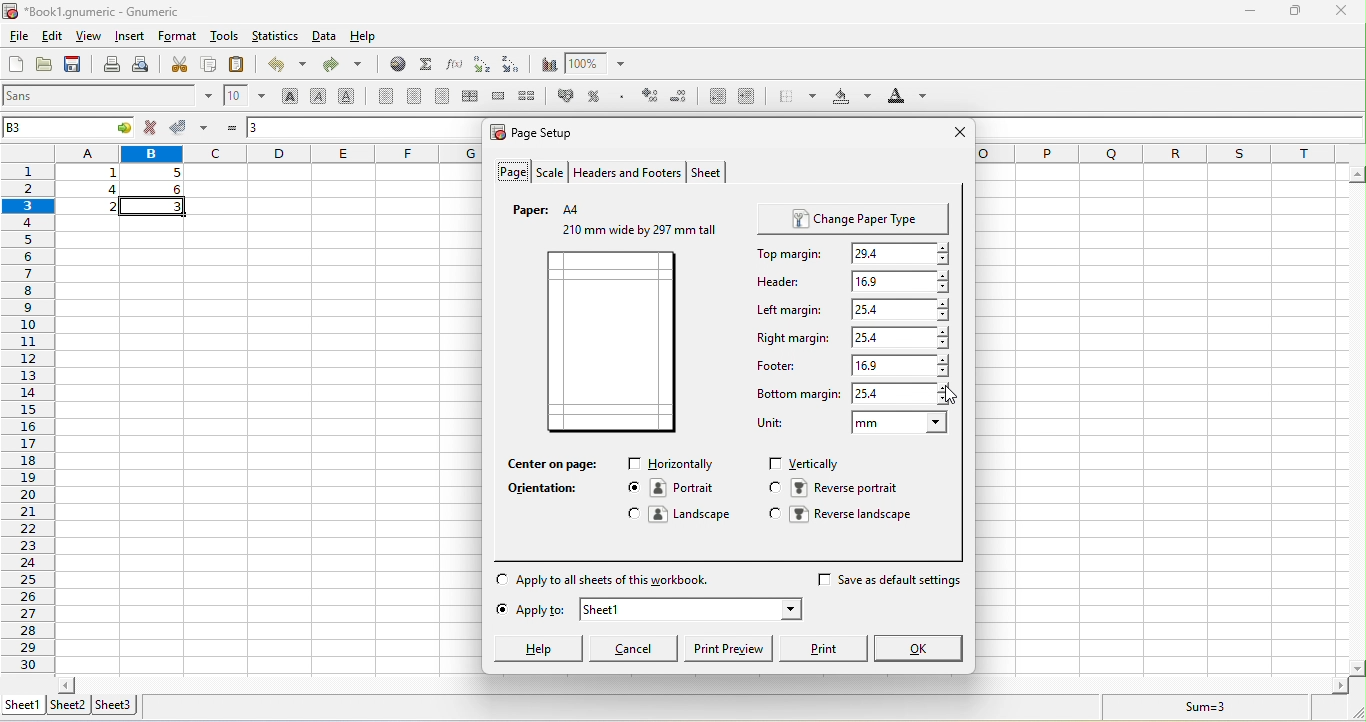  What do you see at coordinates (16, 36) in the screenshot?
I see `file` at bounding box center [16, 36].